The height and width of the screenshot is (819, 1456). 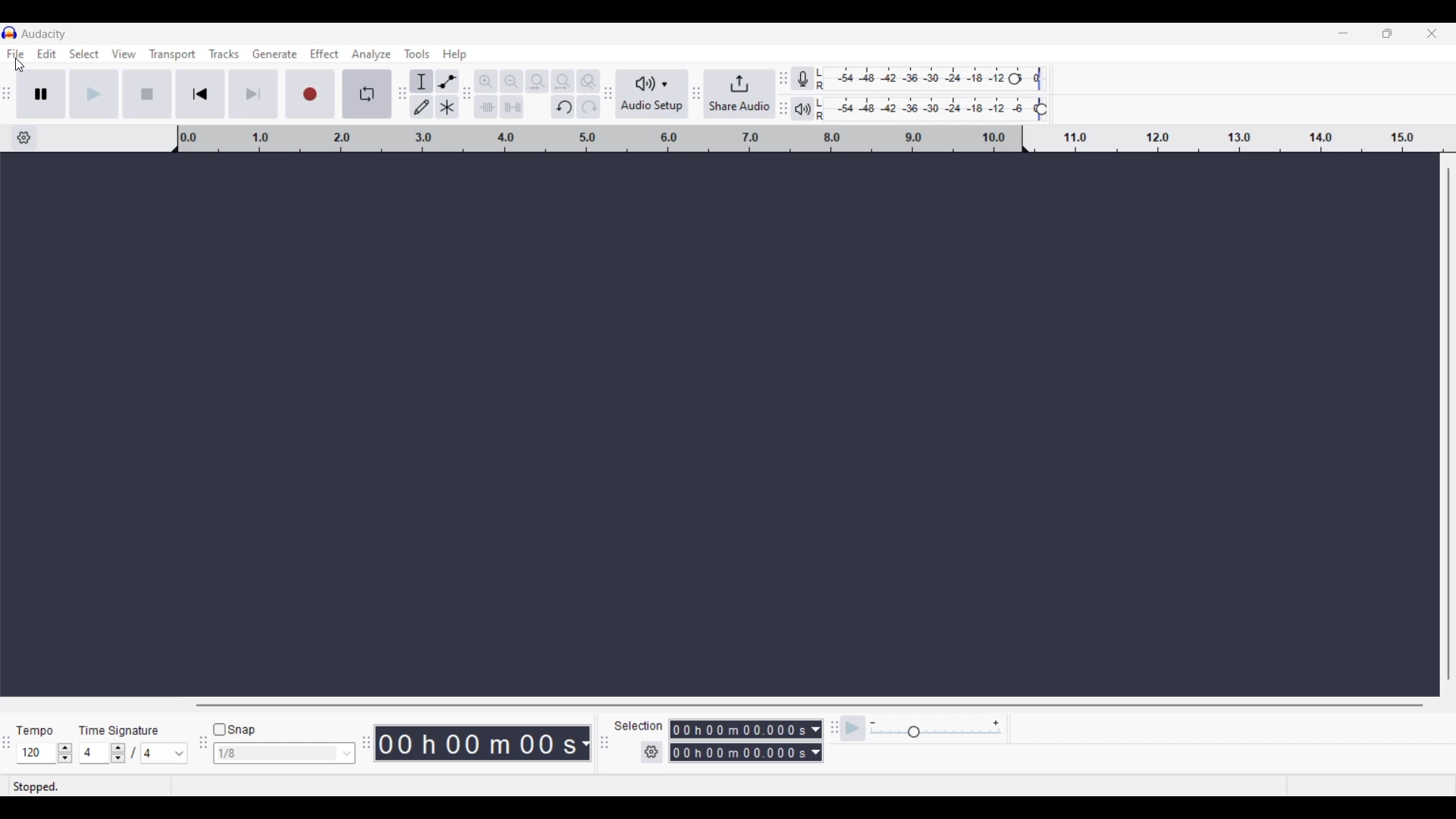 What do you see at coordinates (94, 93) in the screenshot?
I see `Play` at bounding box center [94, 93].